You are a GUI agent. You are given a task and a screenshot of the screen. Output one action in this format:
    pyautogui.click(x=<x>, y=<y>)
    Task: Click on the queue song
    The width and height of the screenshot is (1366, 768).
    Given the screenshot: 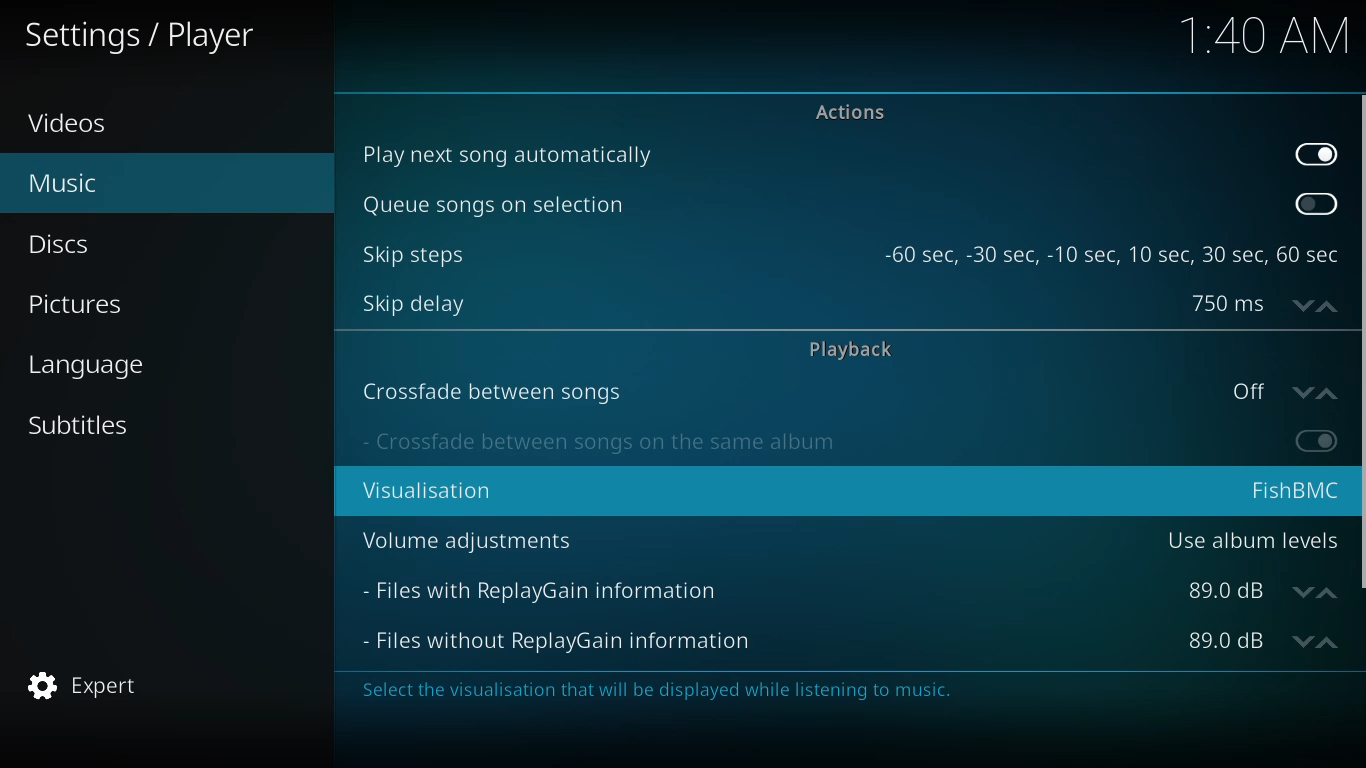 What is the action you would take?
    pyautogui.click(x=491, y=205)
    